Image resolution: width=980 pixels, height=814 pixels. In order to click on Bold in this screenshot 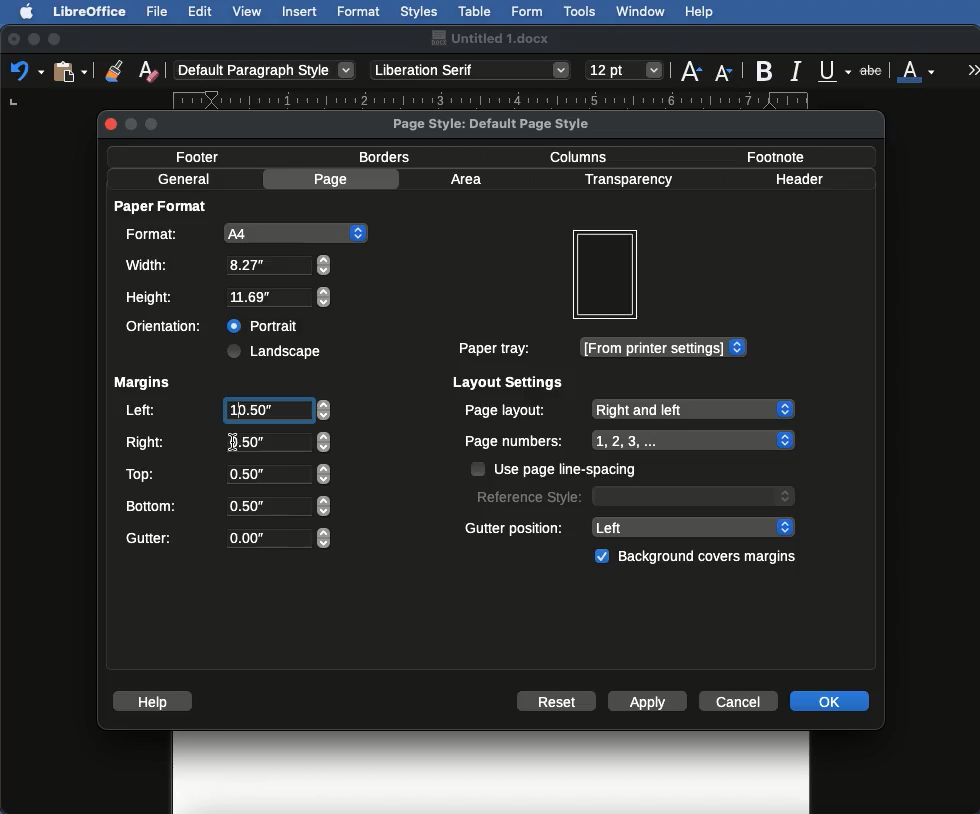, I will do `click(766, 71)`.